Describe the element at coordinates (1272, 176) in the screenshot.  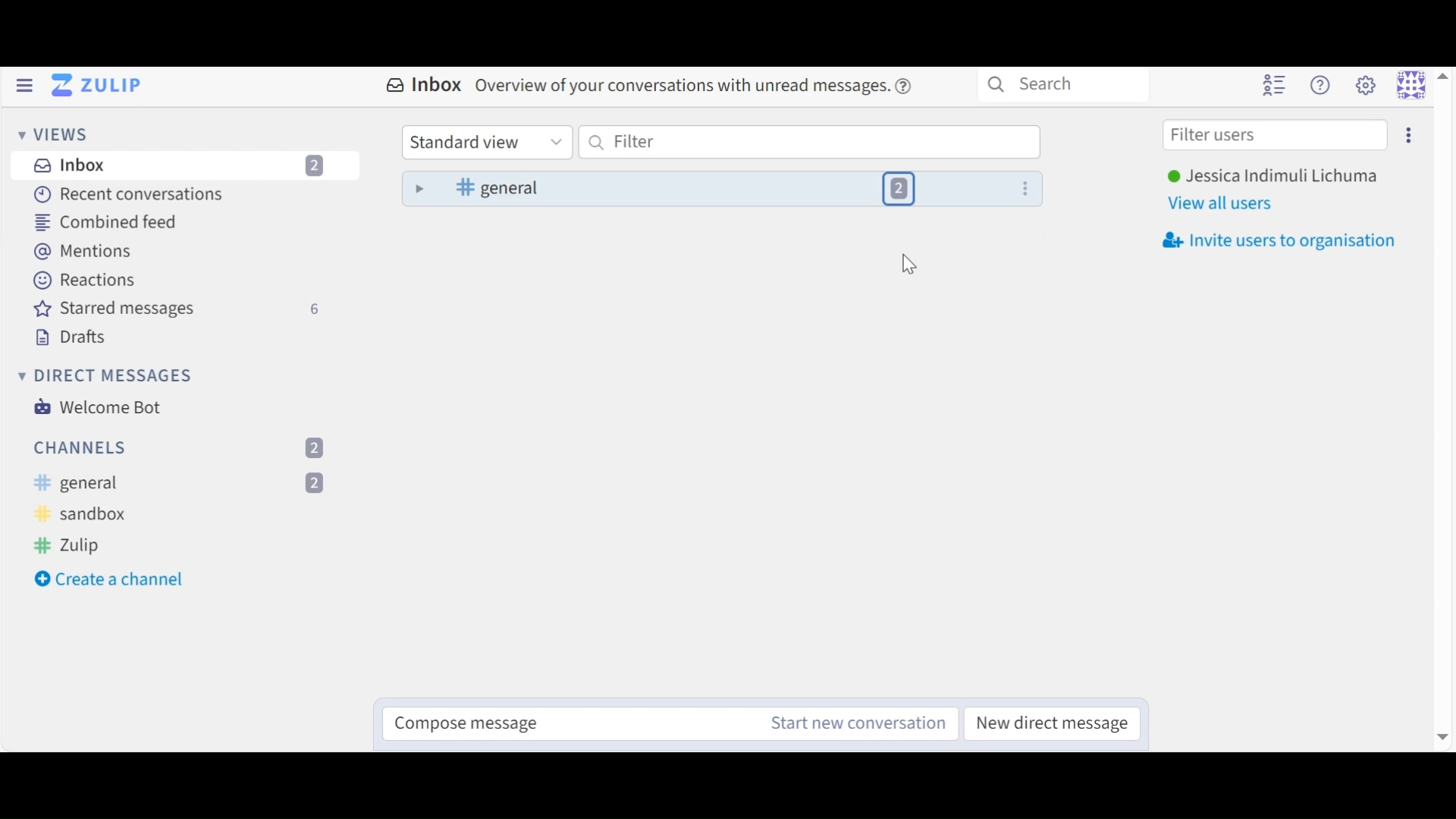
I see `User` at that location.